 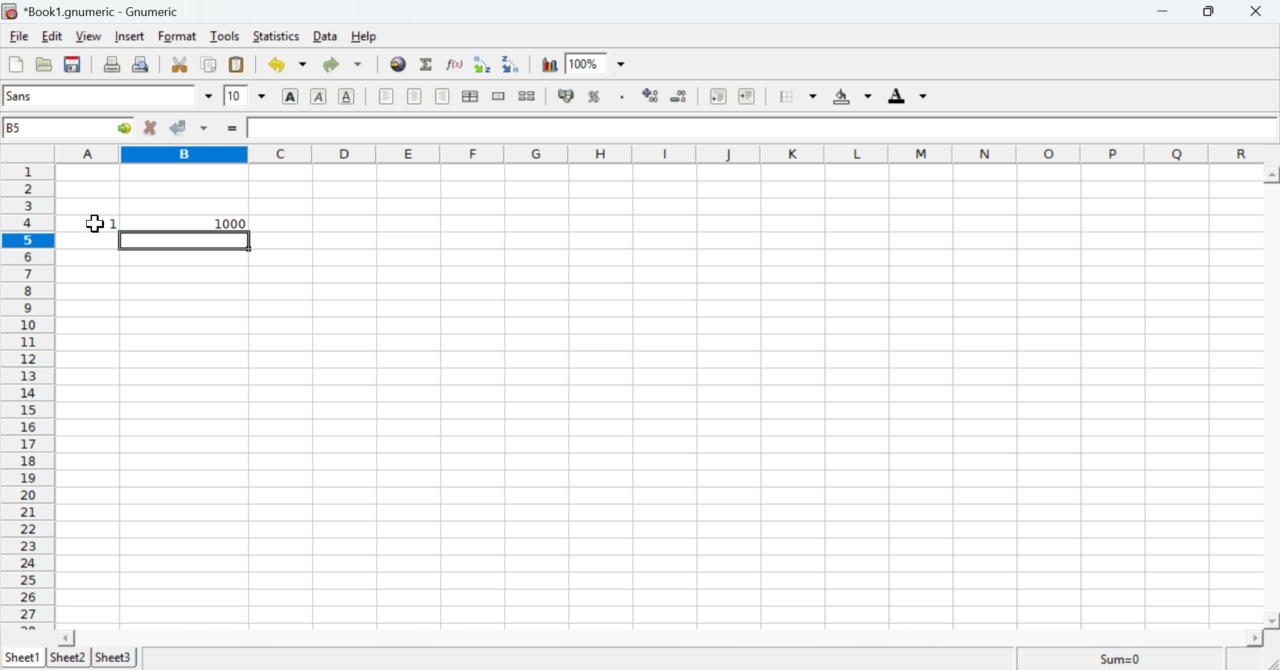 I want to click on Format the selection as percentage., so click(x=597, y=97).